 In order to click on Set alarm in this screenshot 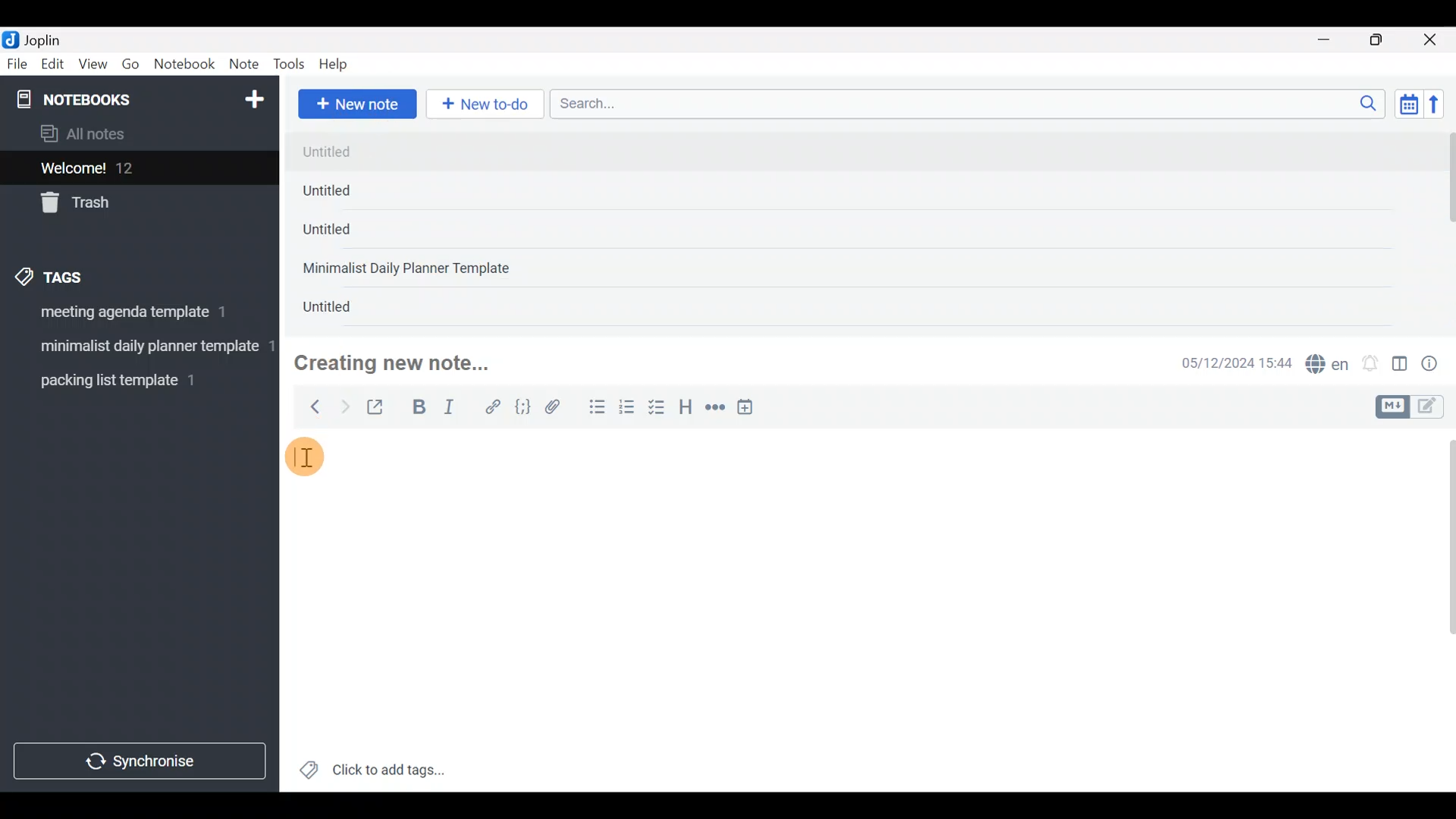, I will do `click(1371, 365)`.